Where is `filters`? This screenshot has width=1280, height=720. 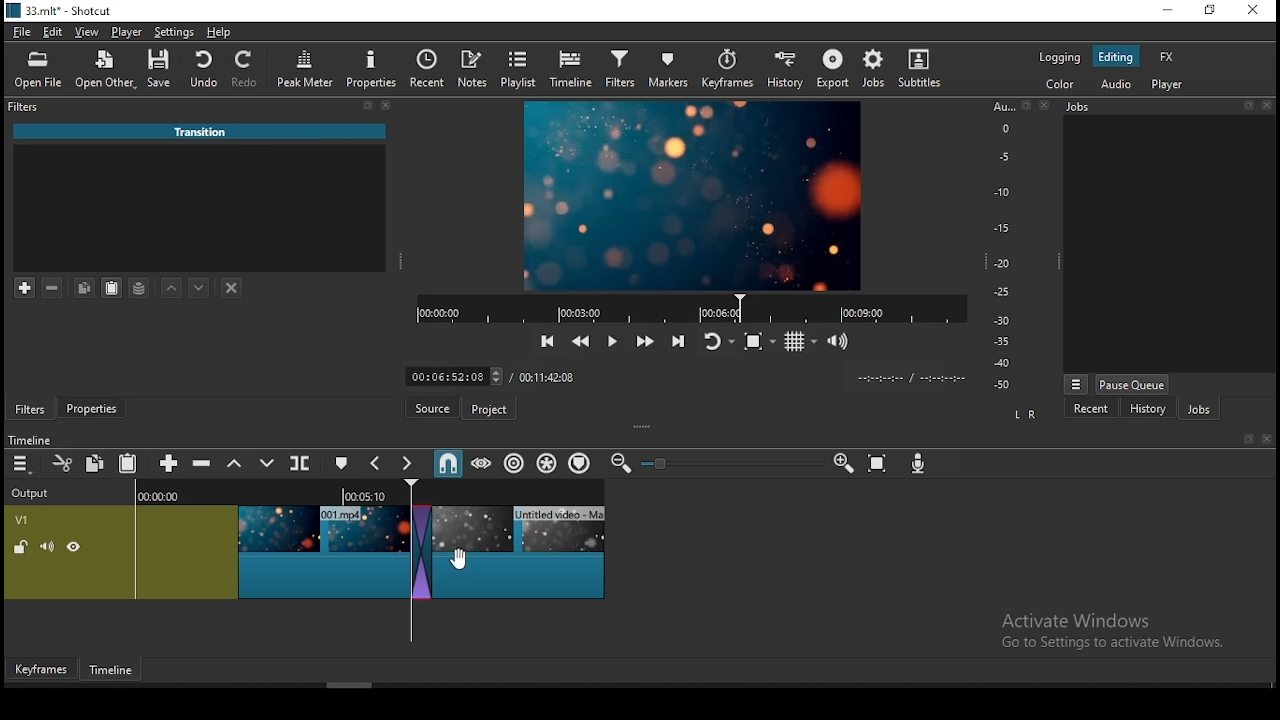
filters is located at coordinates (204, 109).